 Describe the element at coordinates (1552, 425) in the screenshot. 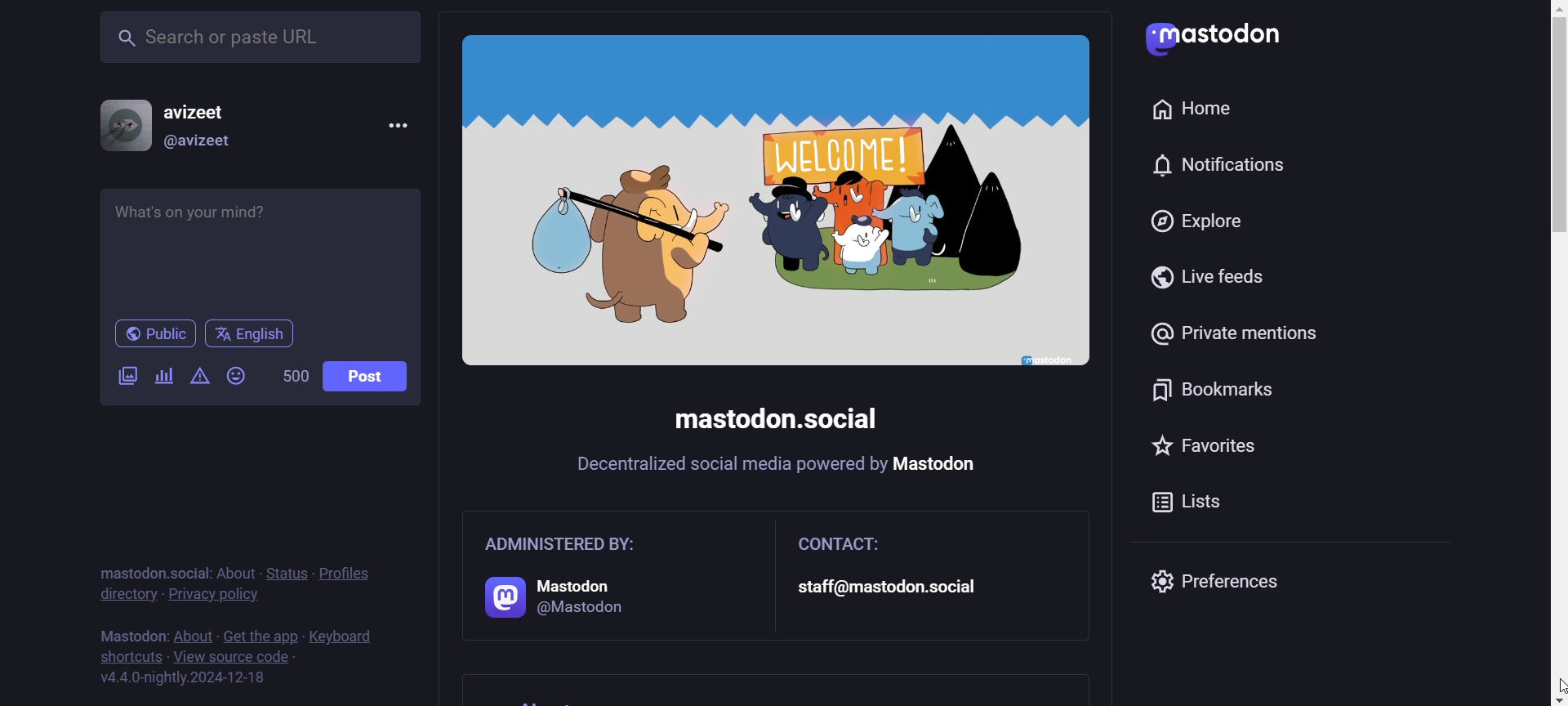

I see `scroll bar` at that location.